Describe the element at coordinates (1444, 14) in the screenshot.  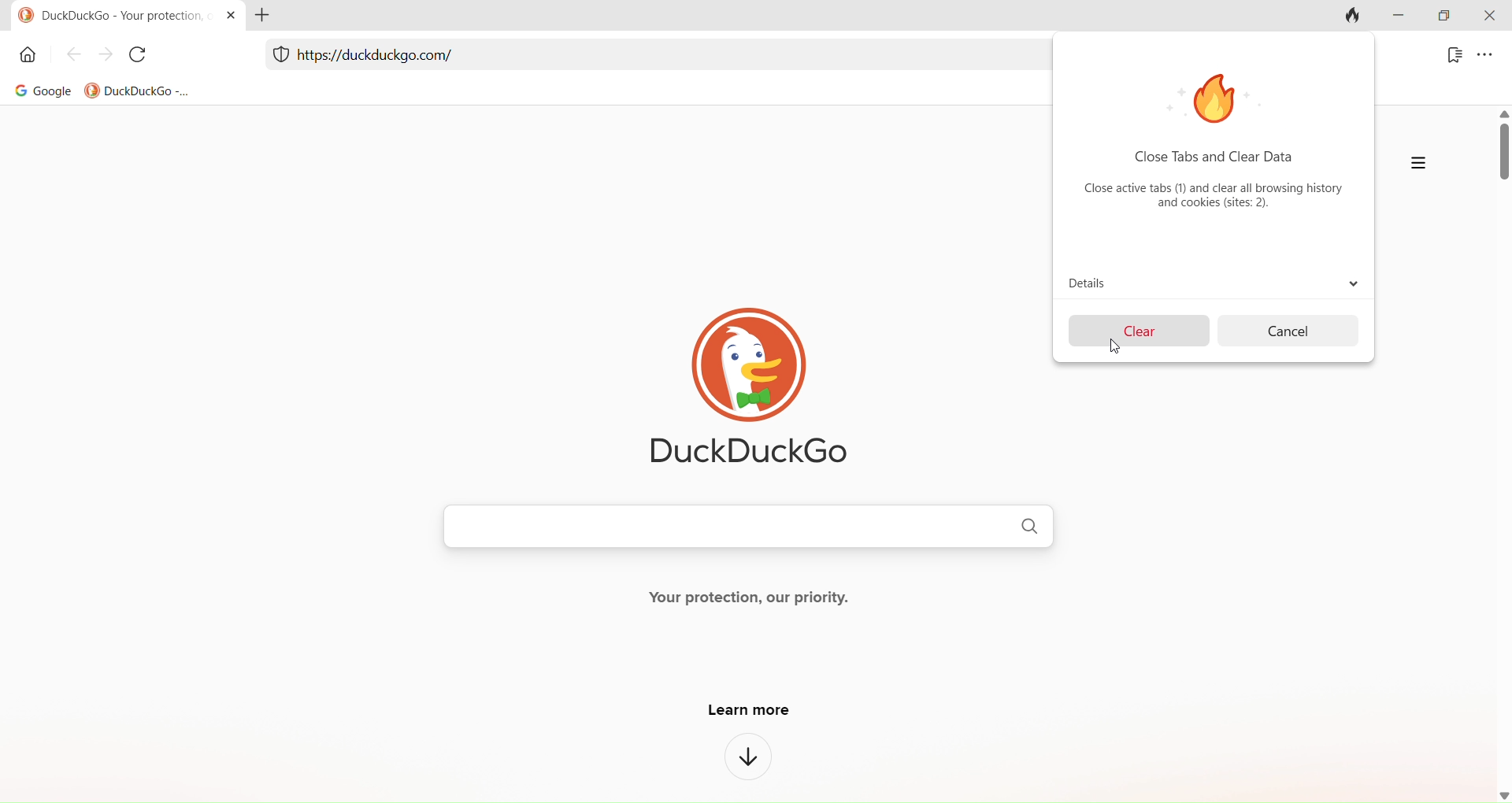
I see `maximize` at that location.